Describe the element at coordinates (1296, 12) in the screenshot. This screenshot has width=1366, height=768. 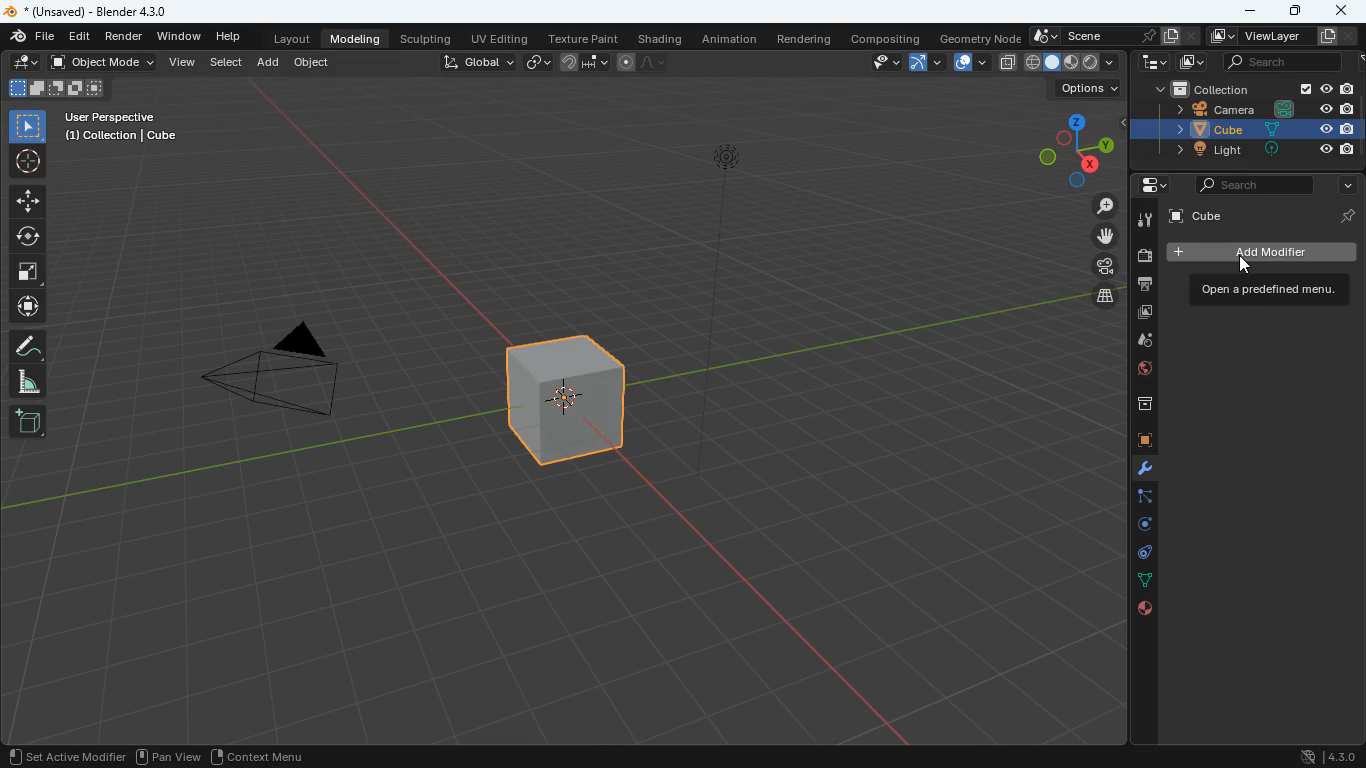
I see `maximize` at that location.